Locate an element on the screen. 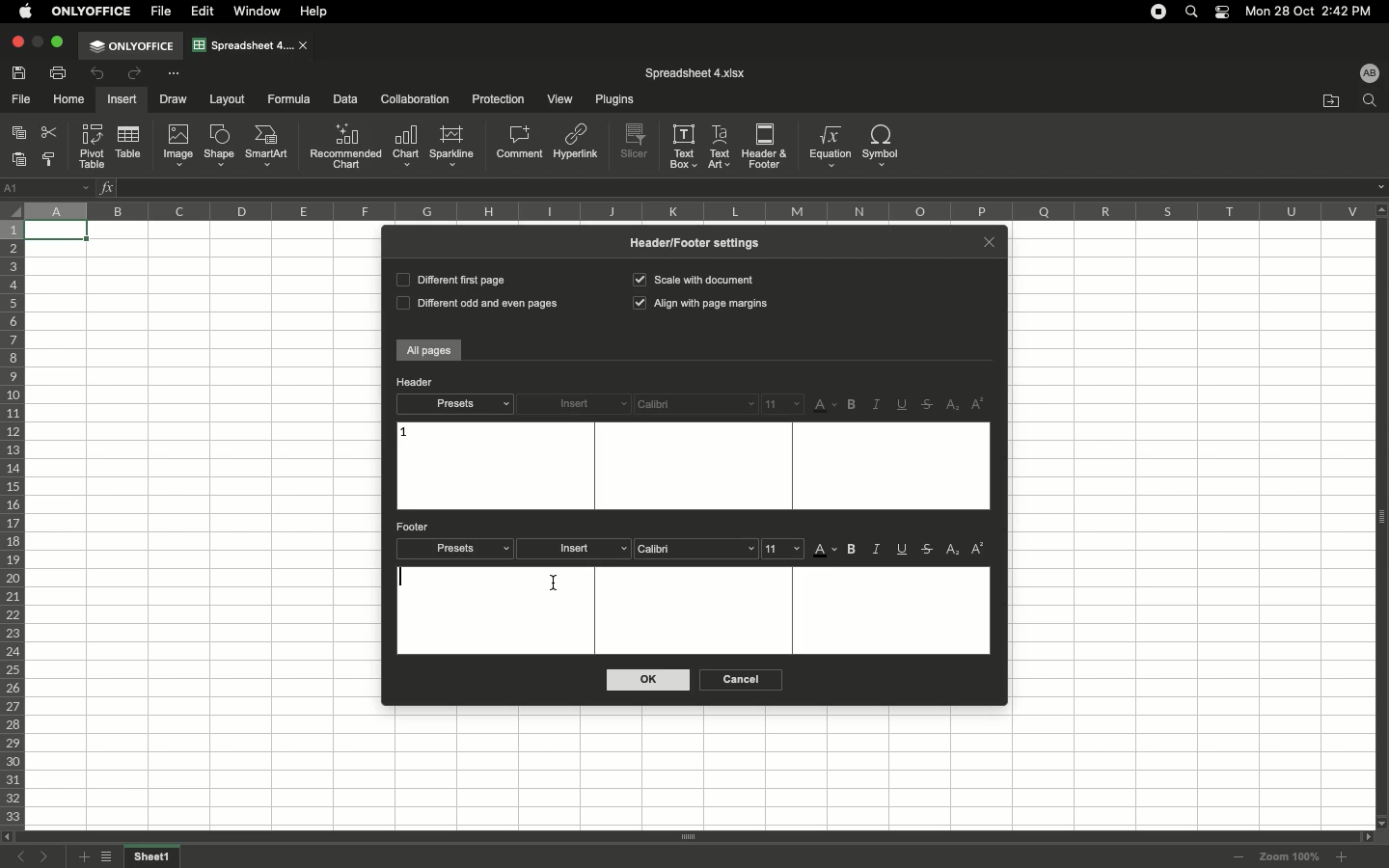 Image resolution: width=1389 pixels, height=868 pixels. Apple logo is located at coordinates (26, 11).